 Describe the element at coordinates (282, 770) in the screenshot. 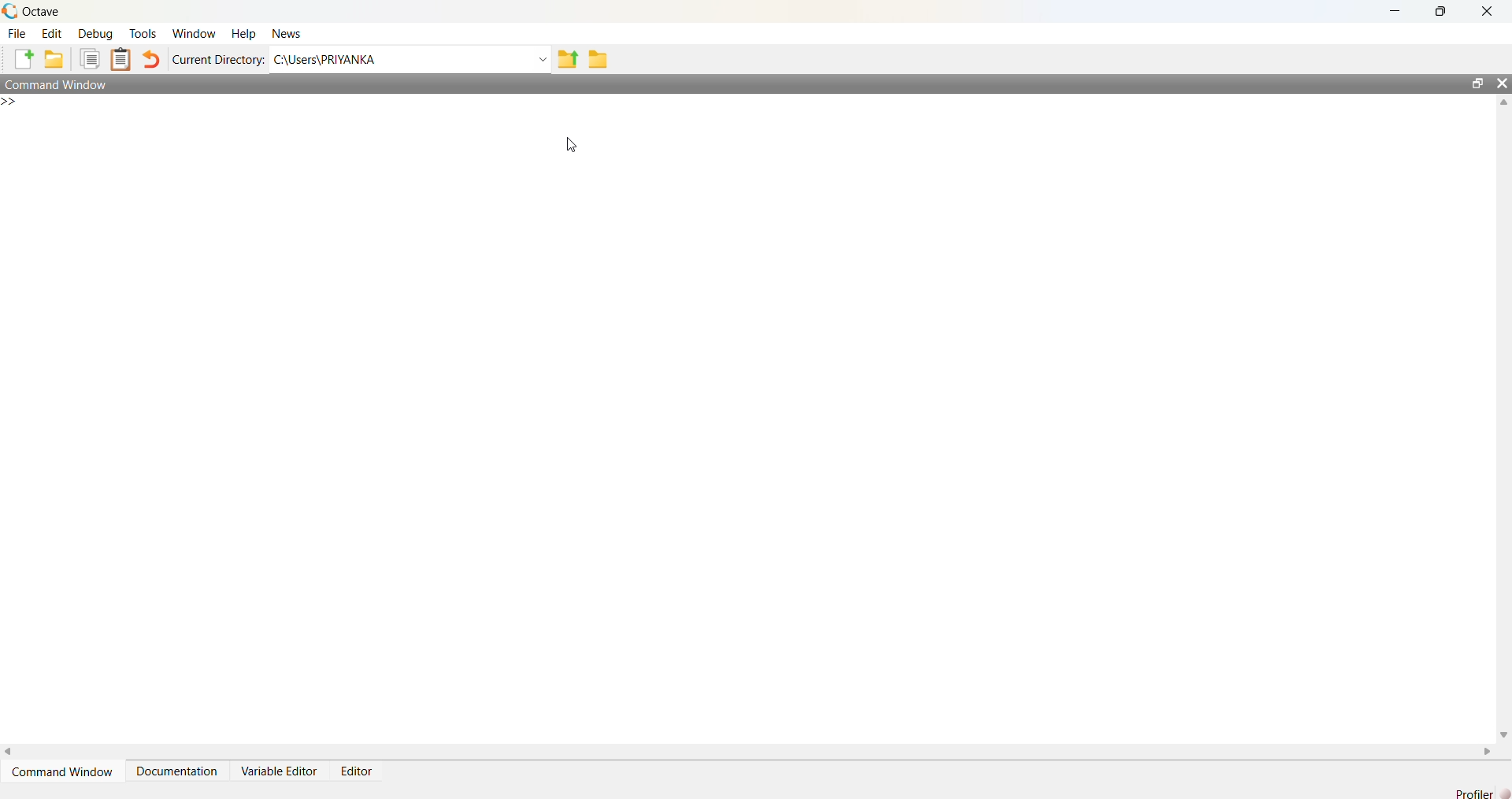

I see `Variable Editor` at that location.